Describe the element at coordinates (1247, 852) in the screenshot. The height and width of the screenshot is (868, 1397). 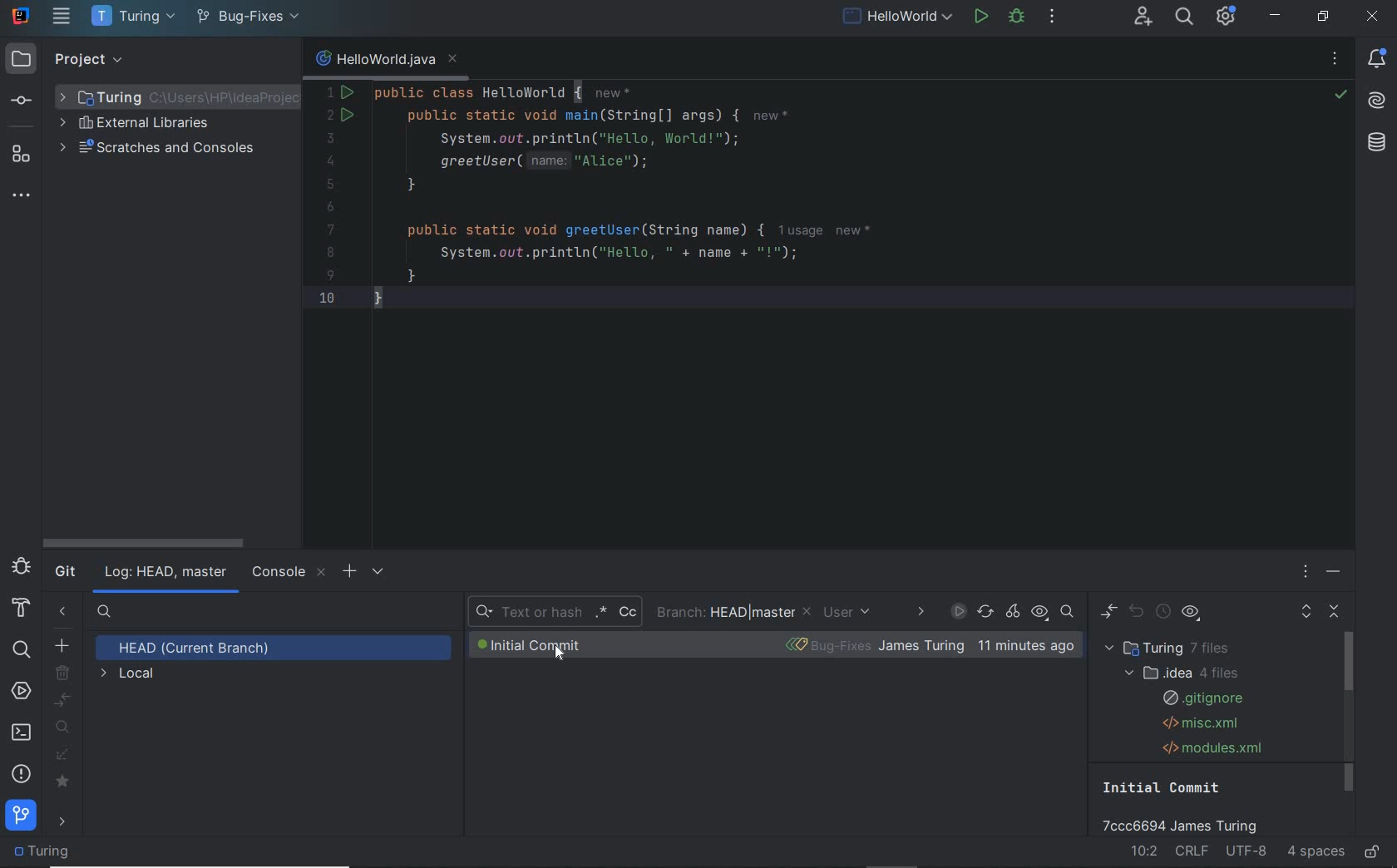
I see `file encoding` at that location.